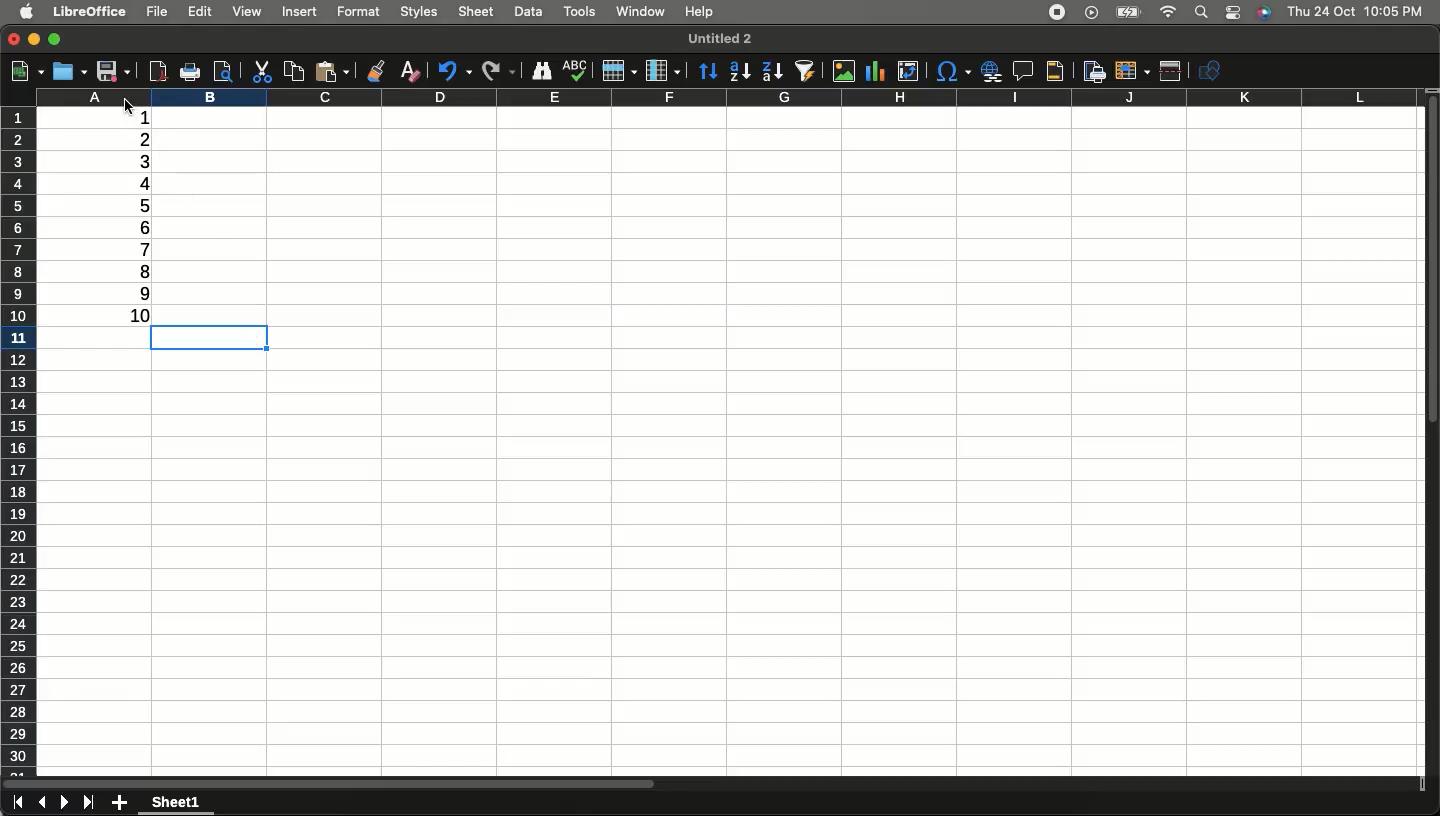 The width and height of the screenshot is (1440, 816). I want to click on 7, so click(142, 248).